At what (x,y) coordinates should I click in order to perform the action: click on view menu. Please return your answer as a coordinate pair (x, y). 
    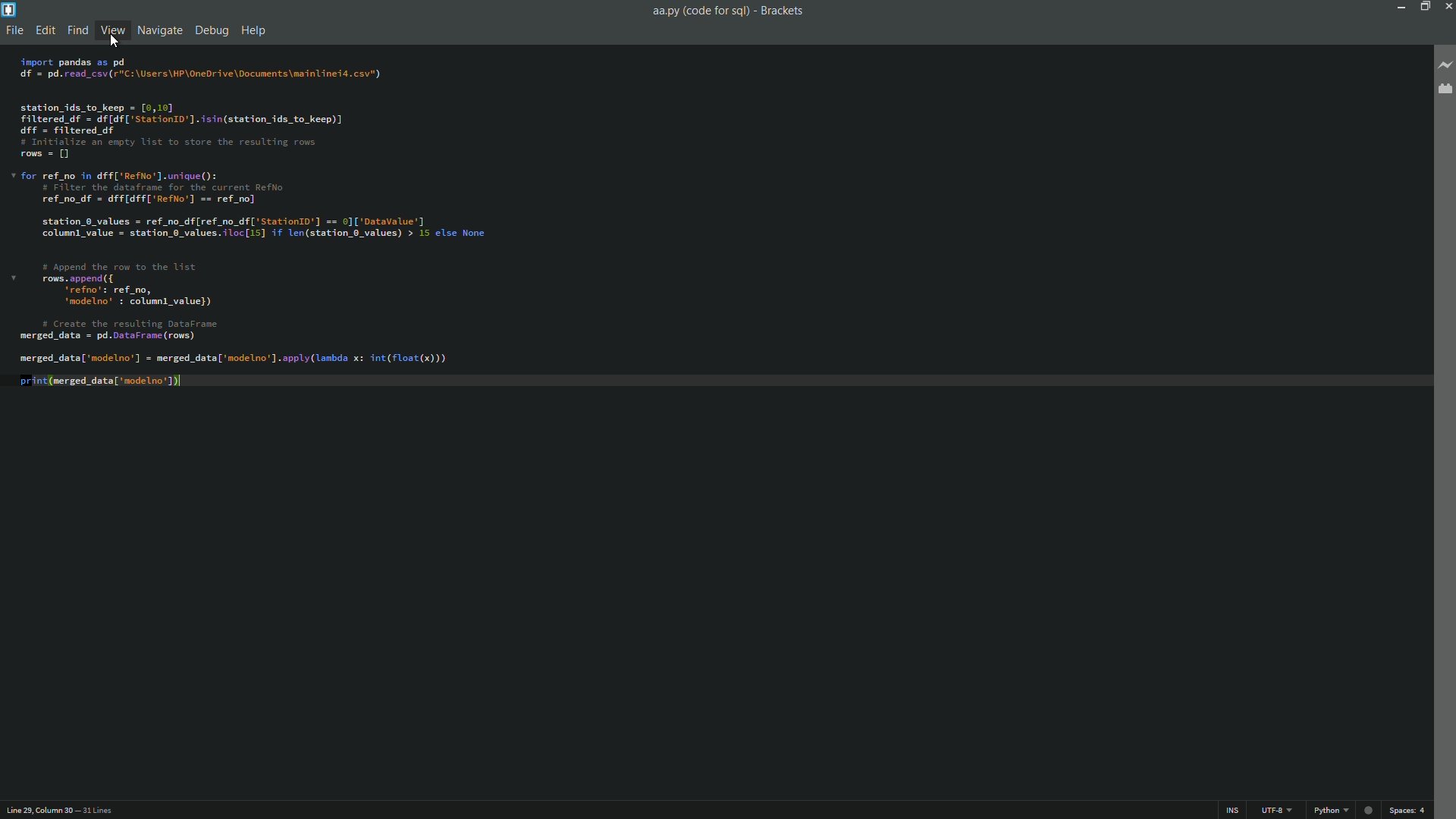
    Looking at the image, I should click on (112, 29).